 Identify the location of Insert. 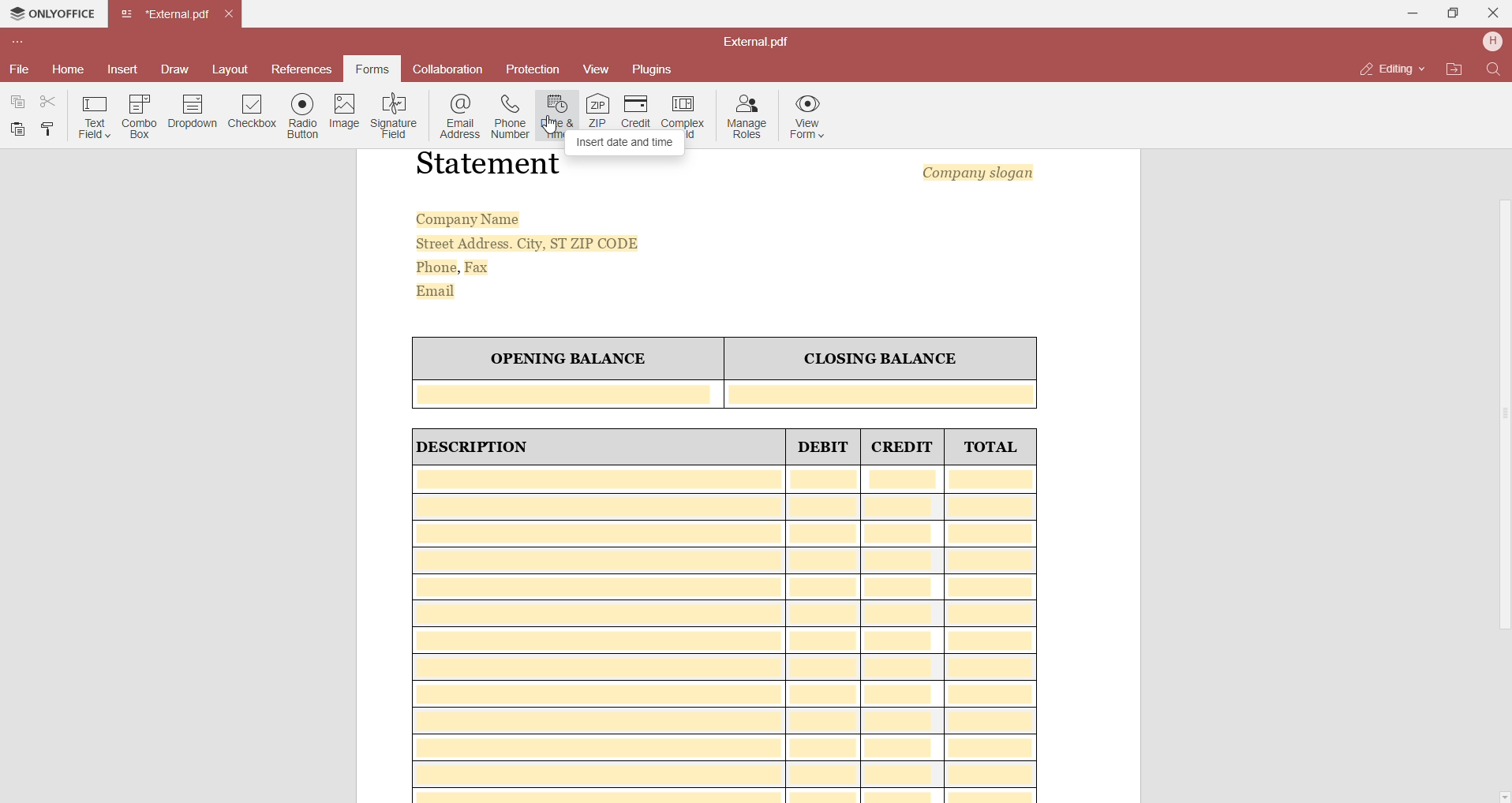
(122, 68).